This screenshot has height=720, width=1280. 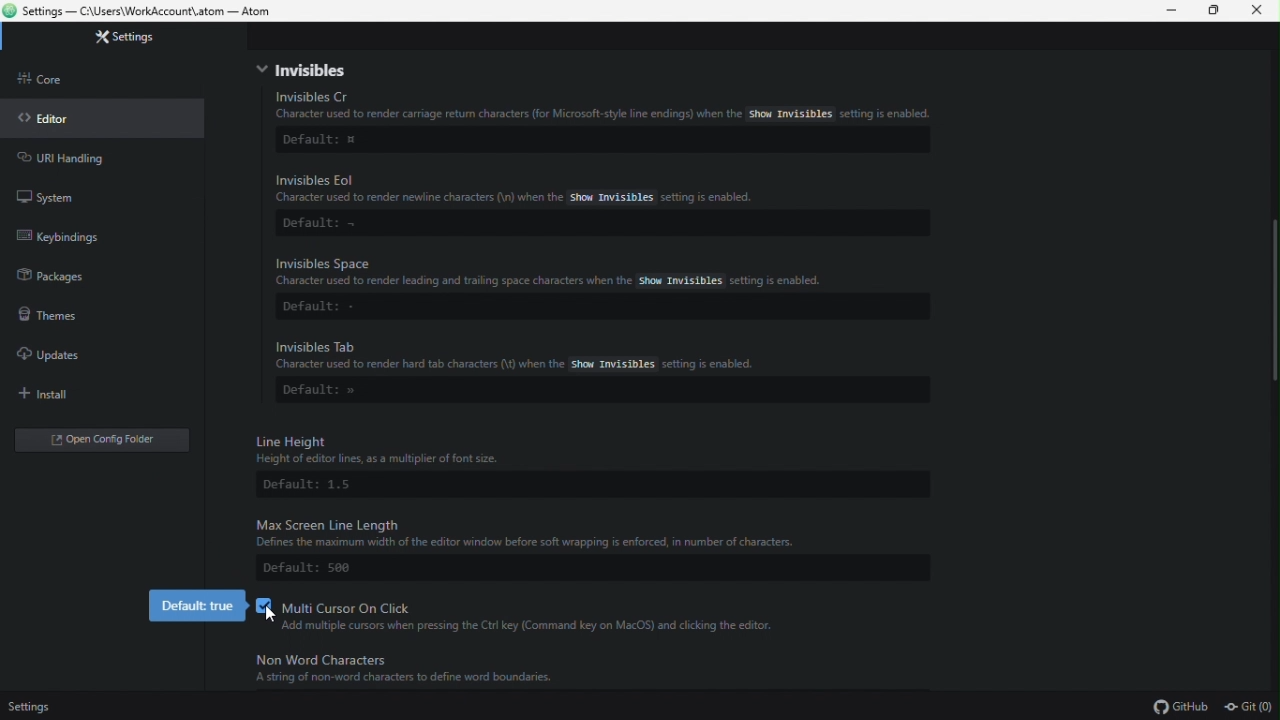 I want to click on Default: -, so click(x=327, y=309).